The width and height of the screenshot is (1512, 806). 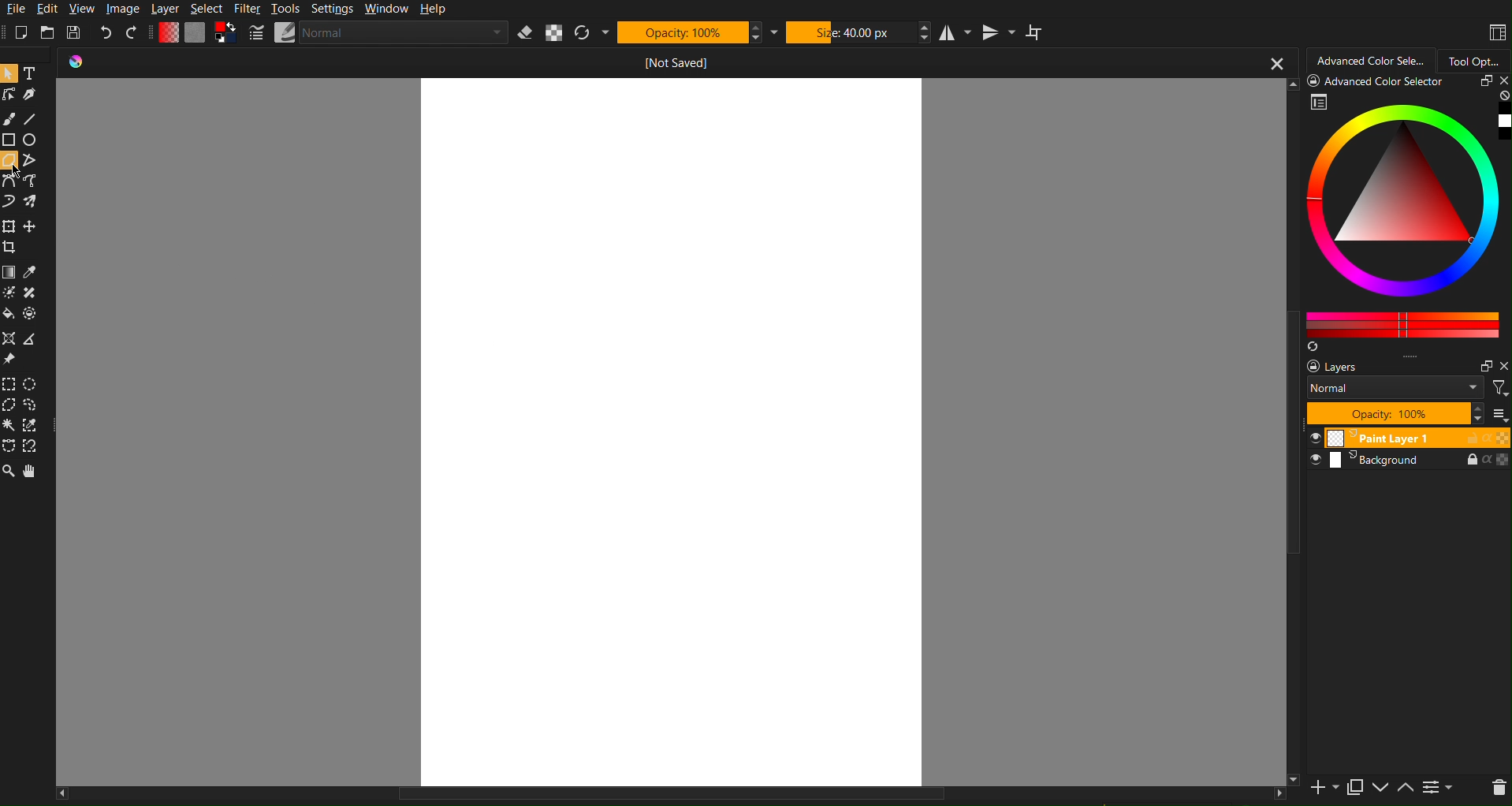 I want to click on dynamic brush tool, so click(x=9, y=203).